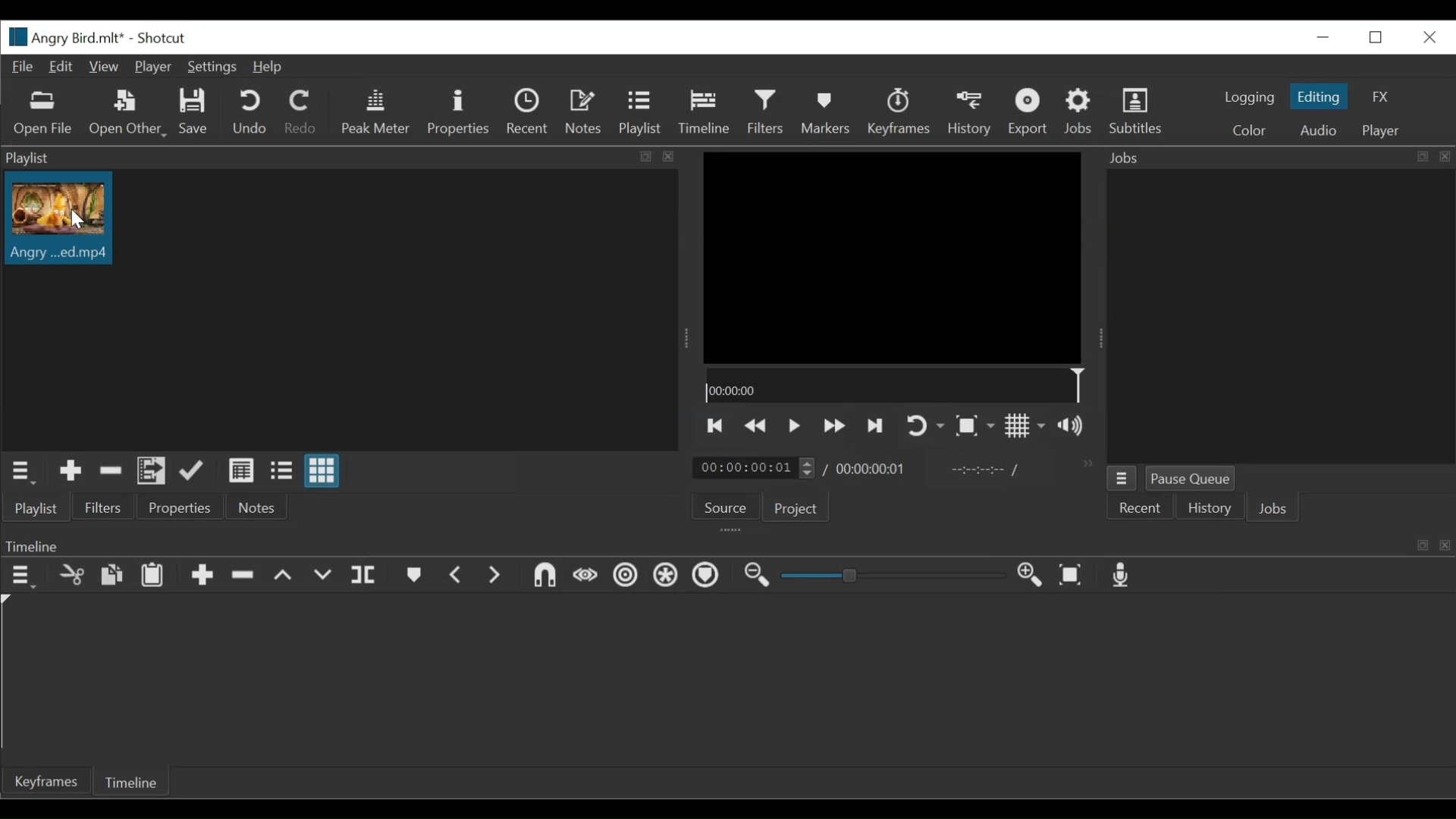 This screenshot has height=819, width=1456. Describe the element at coordinates (46, 114) in the screenshot. I see `Open File` at that location.